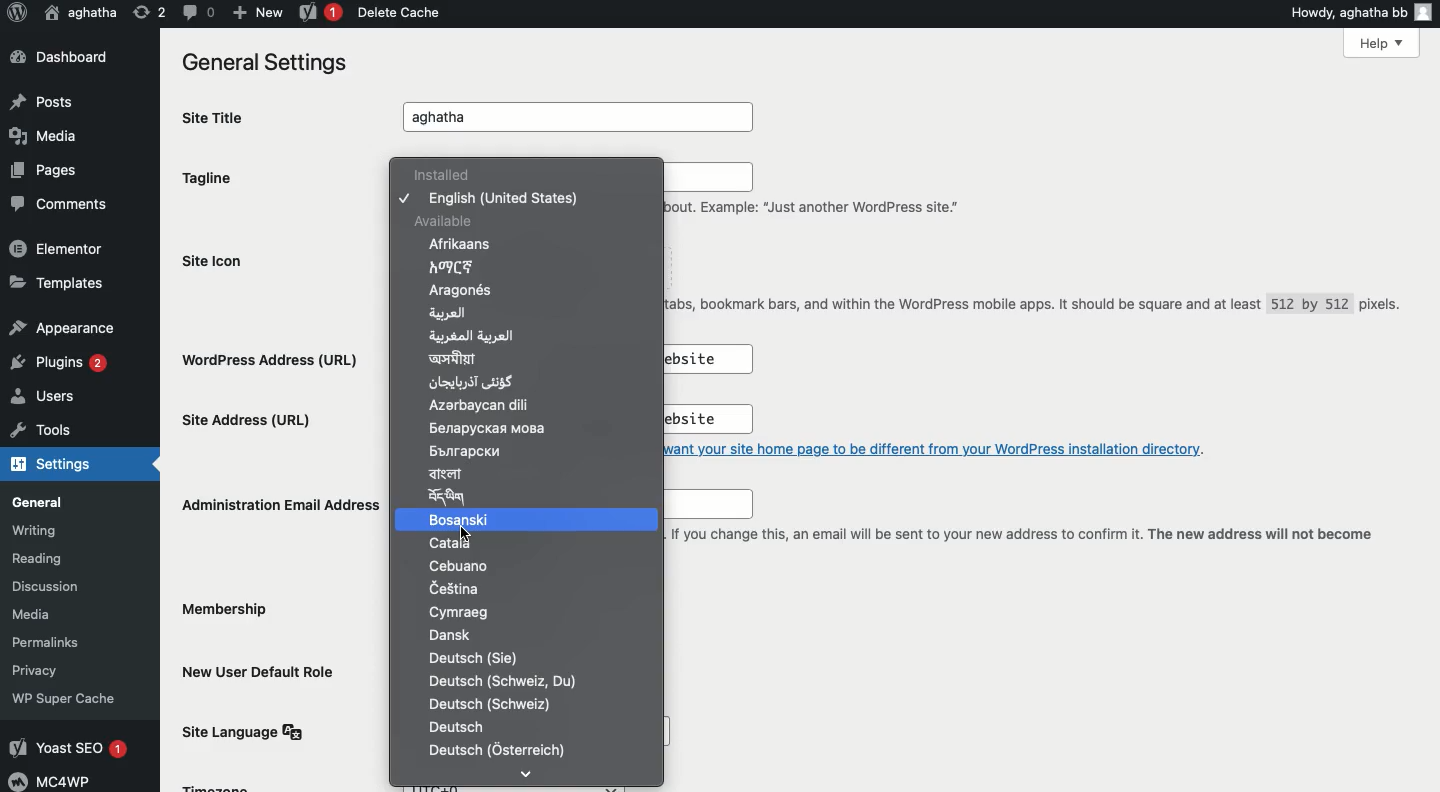  What do you see at coordinates (60, 325) in the screenshot?
I see `Appearance` at bounding box center [60, 325].